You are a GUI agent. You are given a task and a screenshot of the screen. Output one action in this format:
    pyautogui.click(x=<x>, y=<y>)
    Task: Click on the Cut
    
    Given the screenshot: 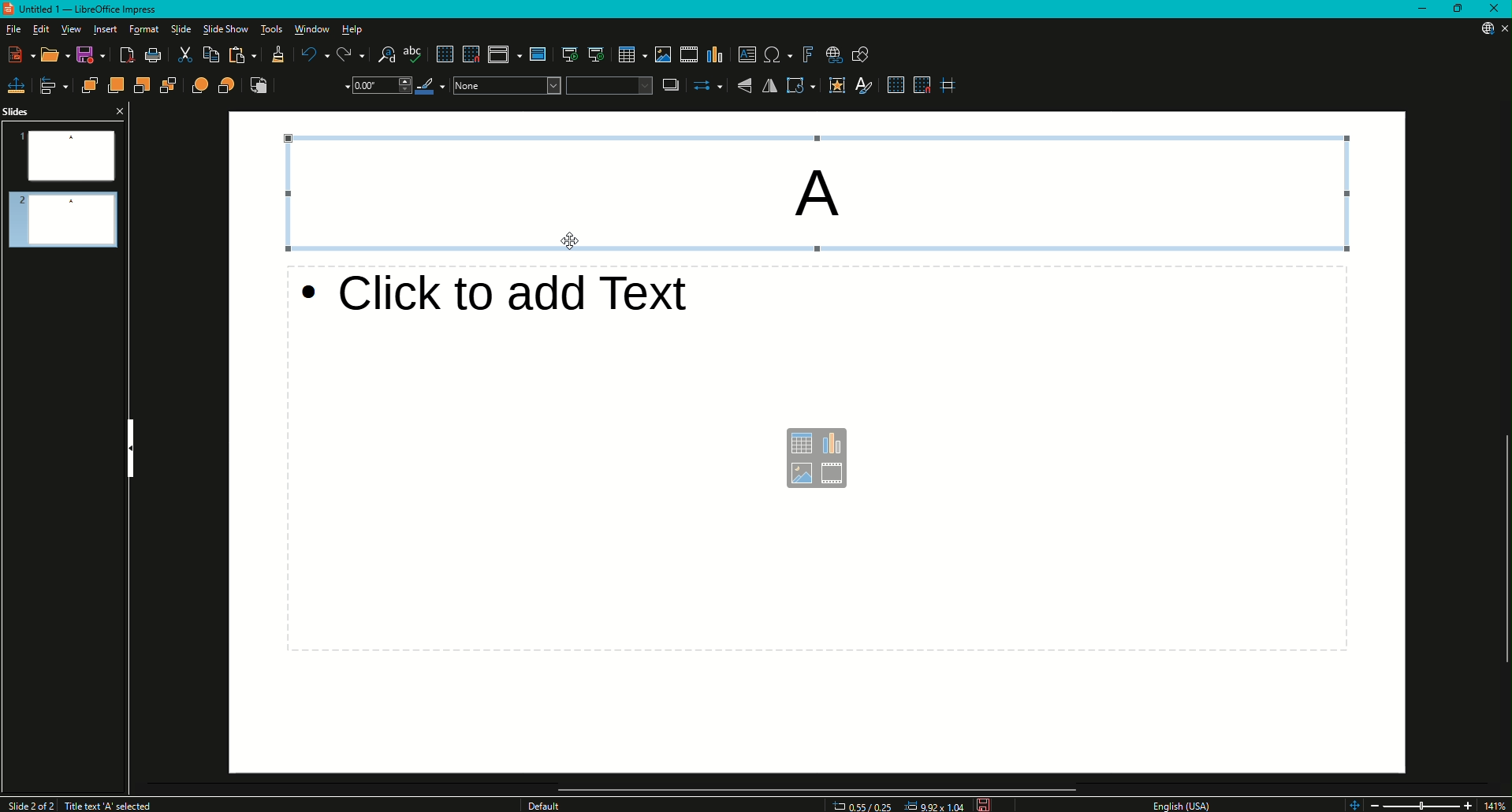 What is the action you would take?
    pyautogui.click(x=181, y=55)
    